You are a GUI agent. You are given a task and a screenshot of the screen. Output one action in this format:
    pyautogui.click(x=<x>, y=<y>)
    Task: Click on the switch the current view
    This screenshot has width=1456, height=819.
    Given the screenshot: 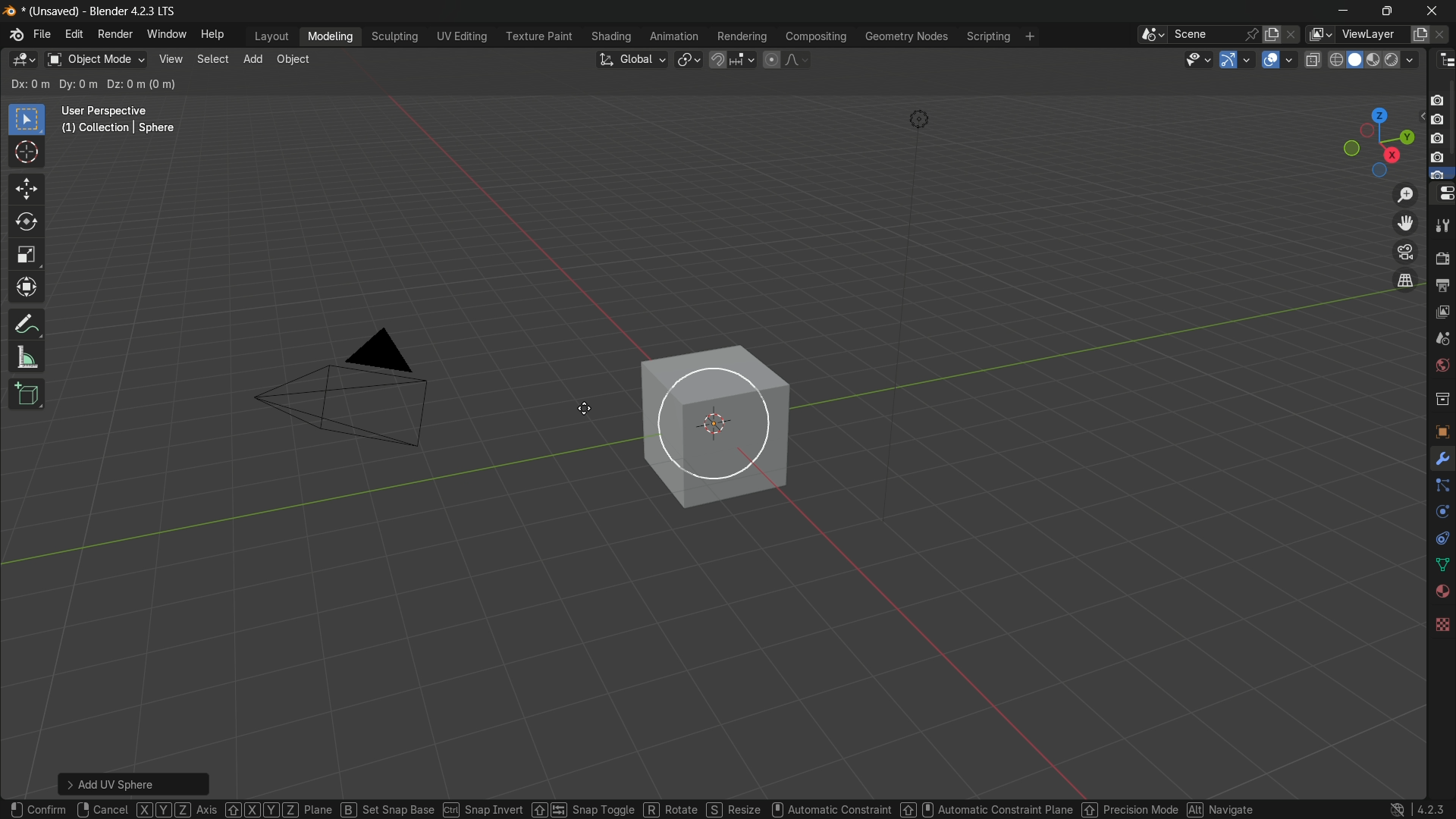 What is the action you would take?
    pyautogui.click(x=1404, y=280)
    